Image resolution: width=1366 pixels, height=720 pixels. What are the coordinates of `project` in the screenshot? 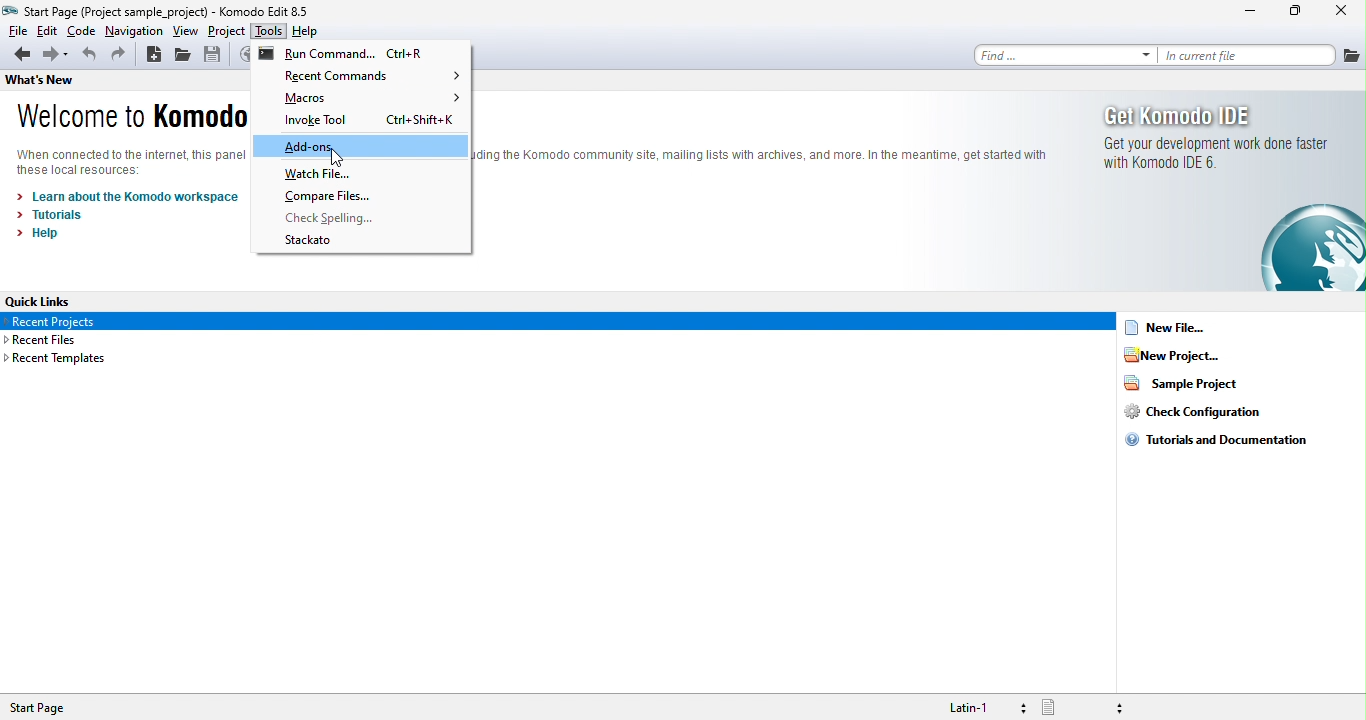 It's located at (227, 32).